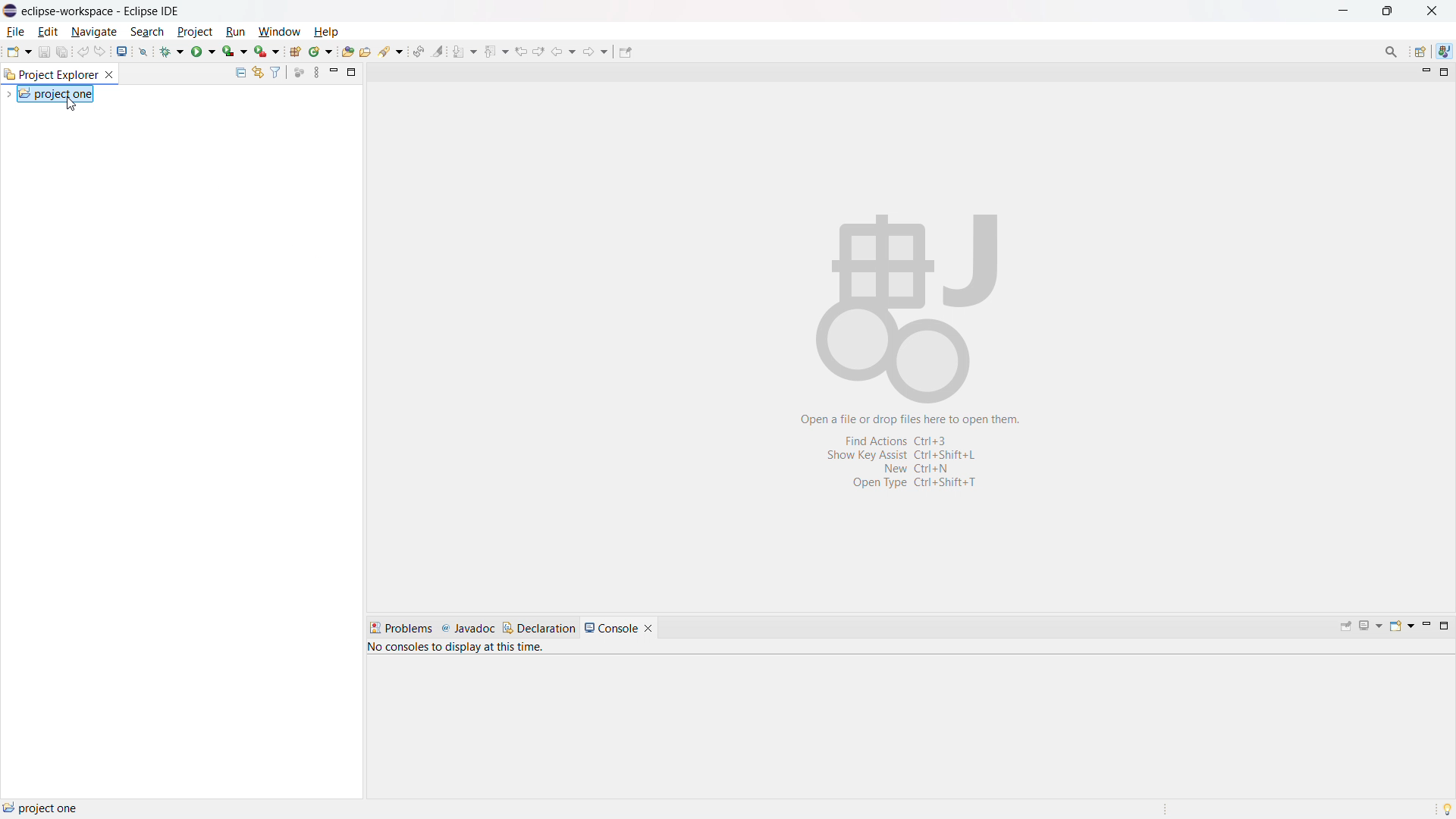  I want to click on console, so click(611, 628).